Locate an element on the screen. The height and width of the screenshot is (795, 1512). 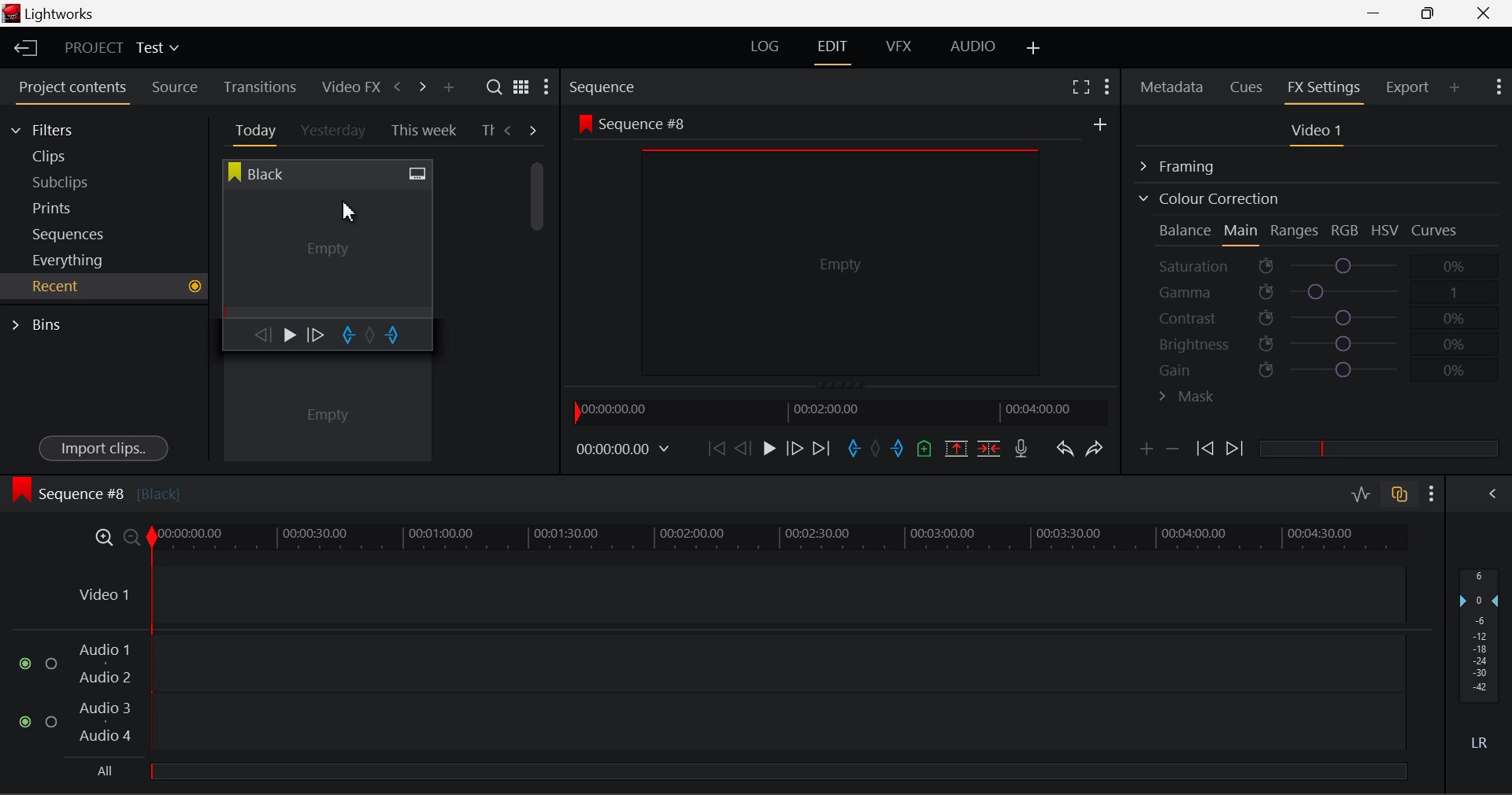
Mask is located at coordinates (1188, 398).